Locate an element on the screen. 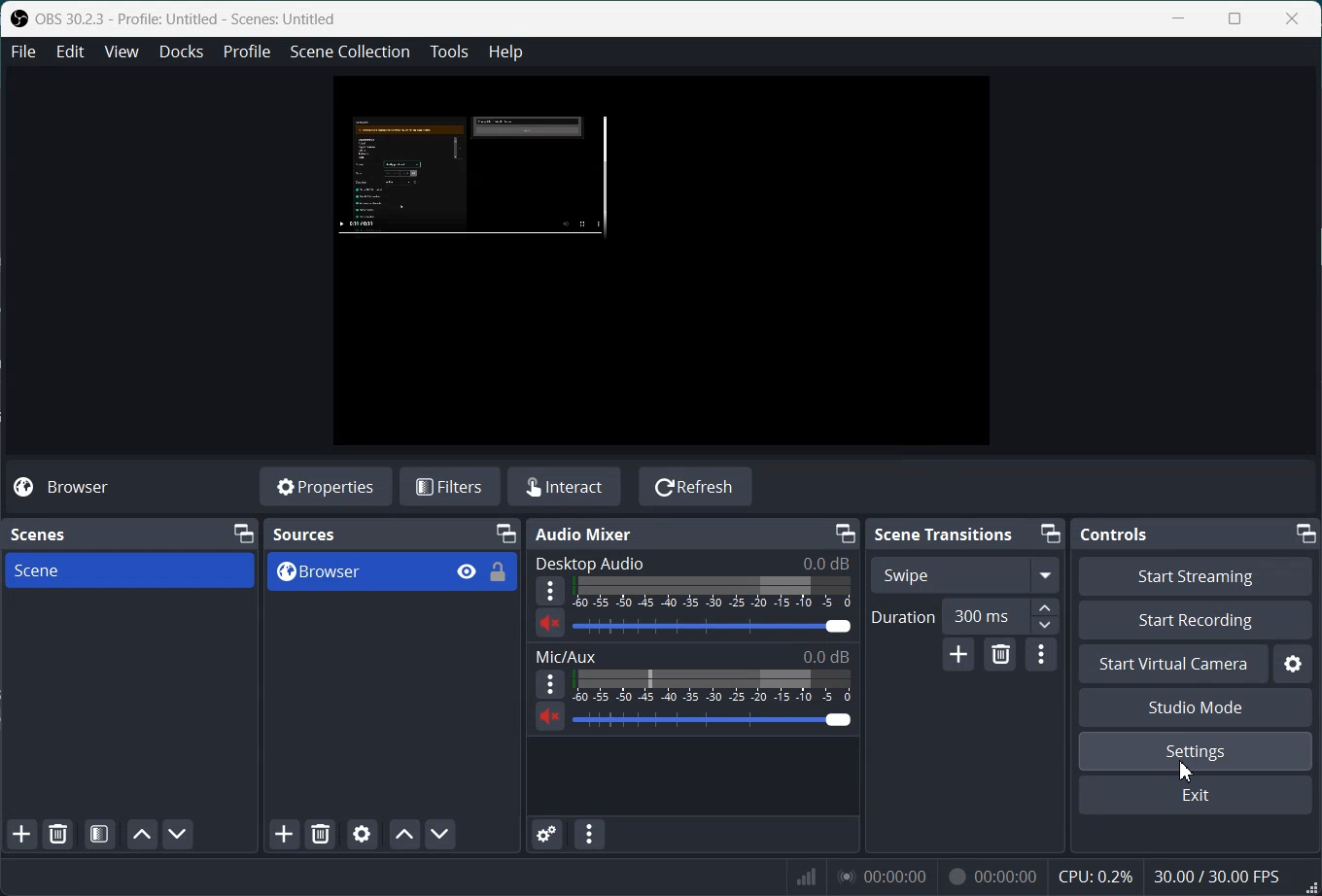 The height and width of the screenshot is (896, 1322). Browser is located at coordinates (78, 488).